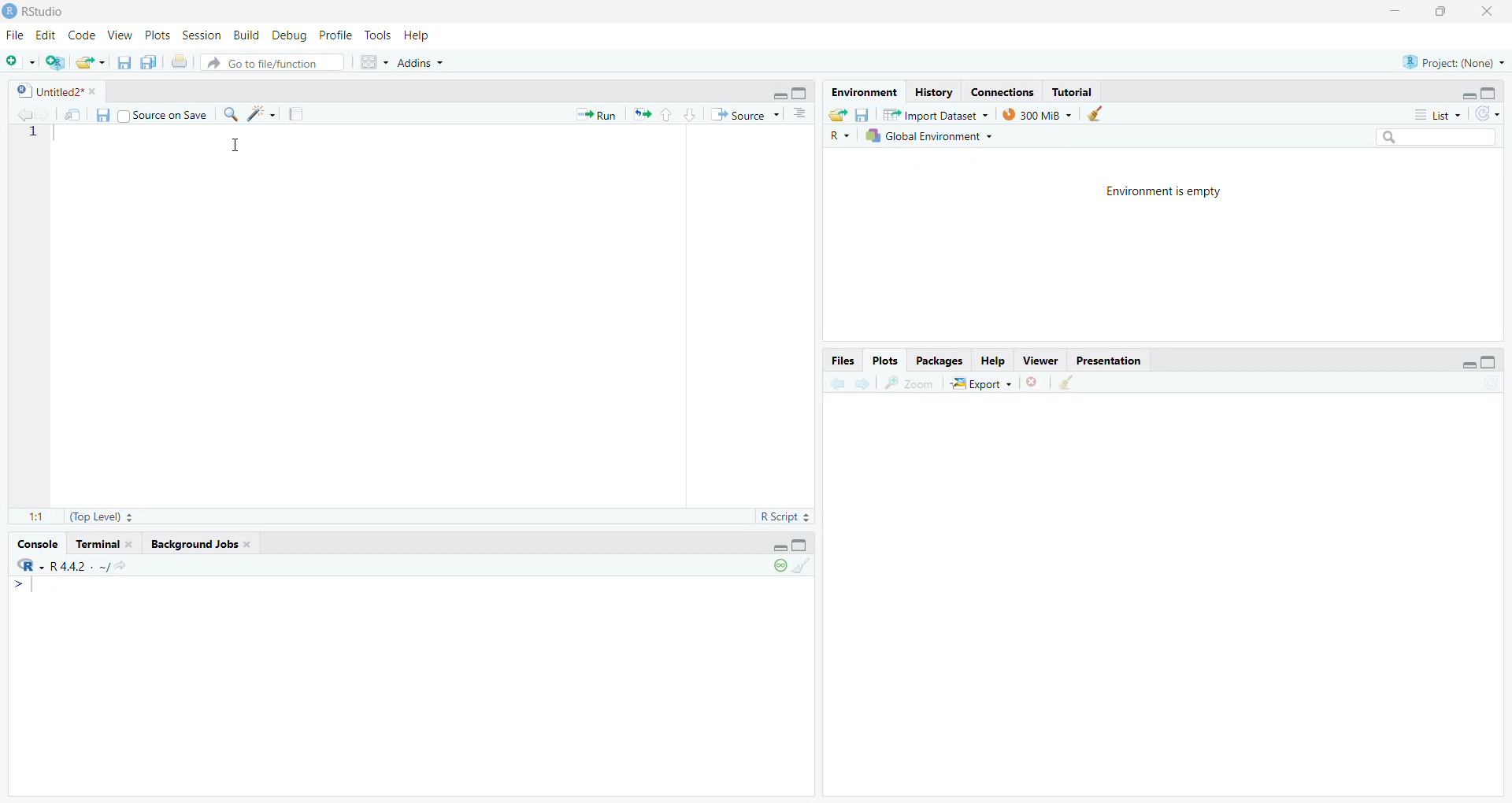 The height and width of the screenshot is (803, 1512). Describe the element at coordinates (1439, 13) in the screenshot. I see `maximize` at that location.